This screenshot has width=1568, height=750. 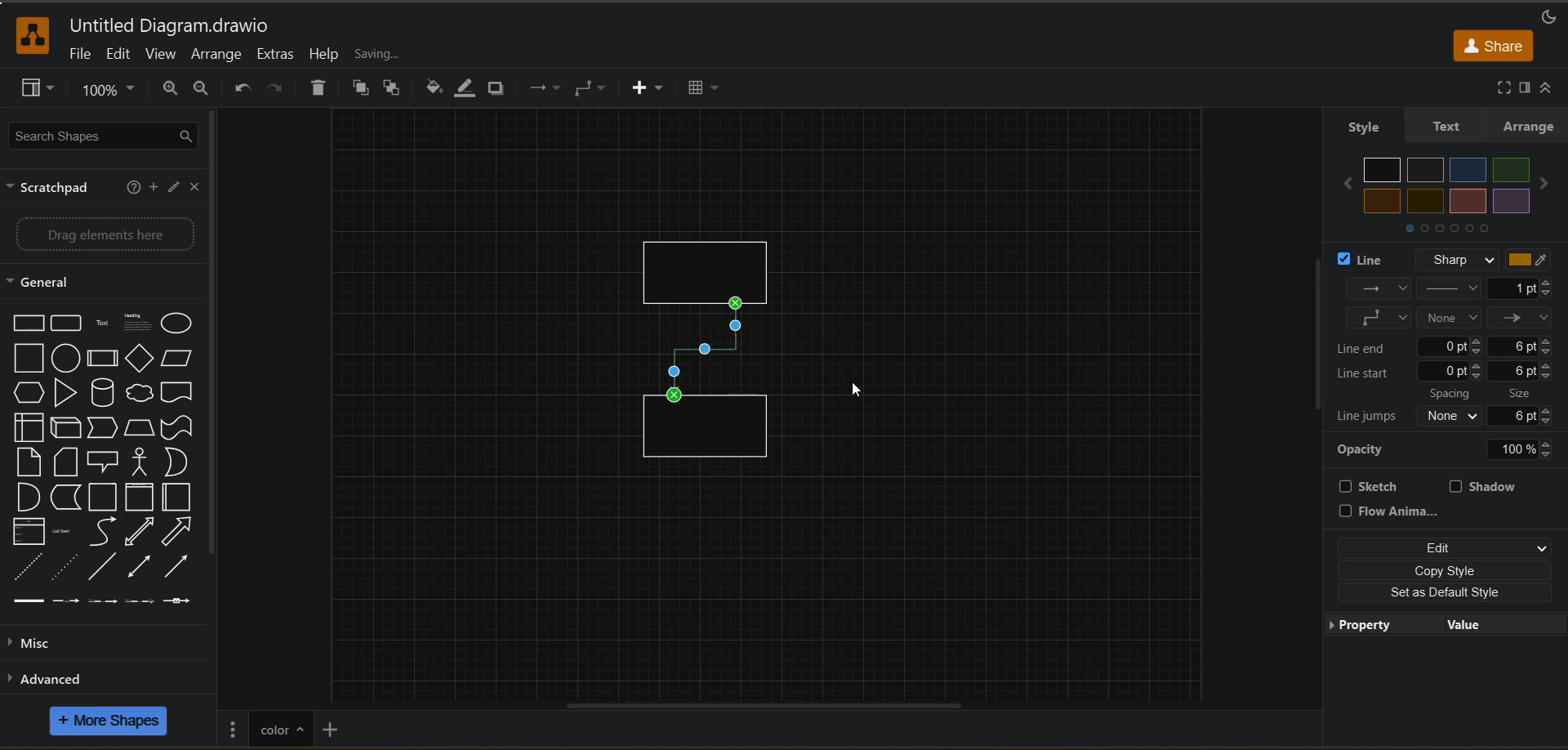 What do you see at coordinates (1453, 393) in the screenshot?
I see `Spacing` at bounding box center [1453, 393].